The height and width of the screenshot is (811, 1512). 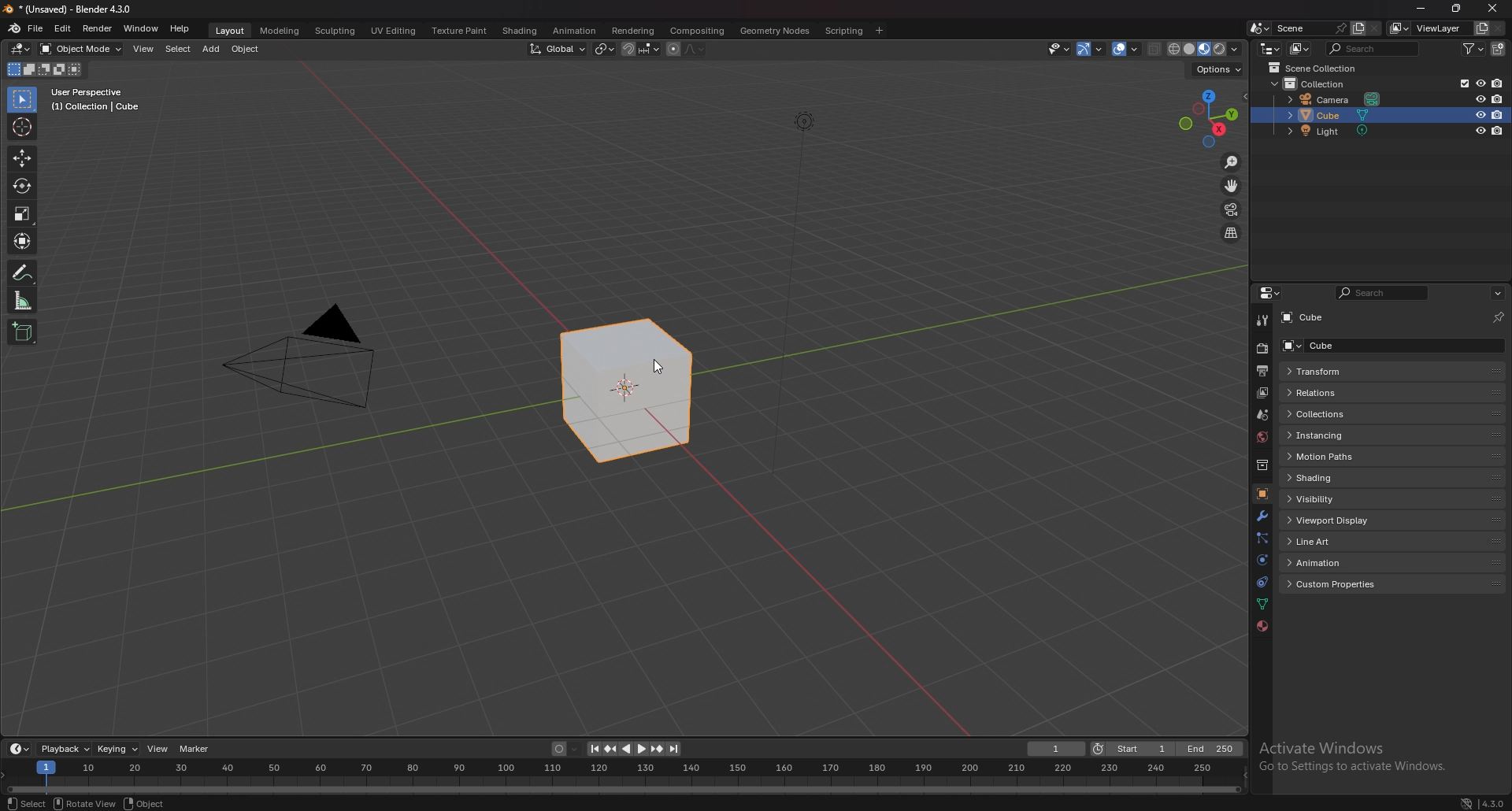 What do you see at coordinates (1499, 131) in the screenshot?
I see `disable in renders` at bounding box center [1499, 131].